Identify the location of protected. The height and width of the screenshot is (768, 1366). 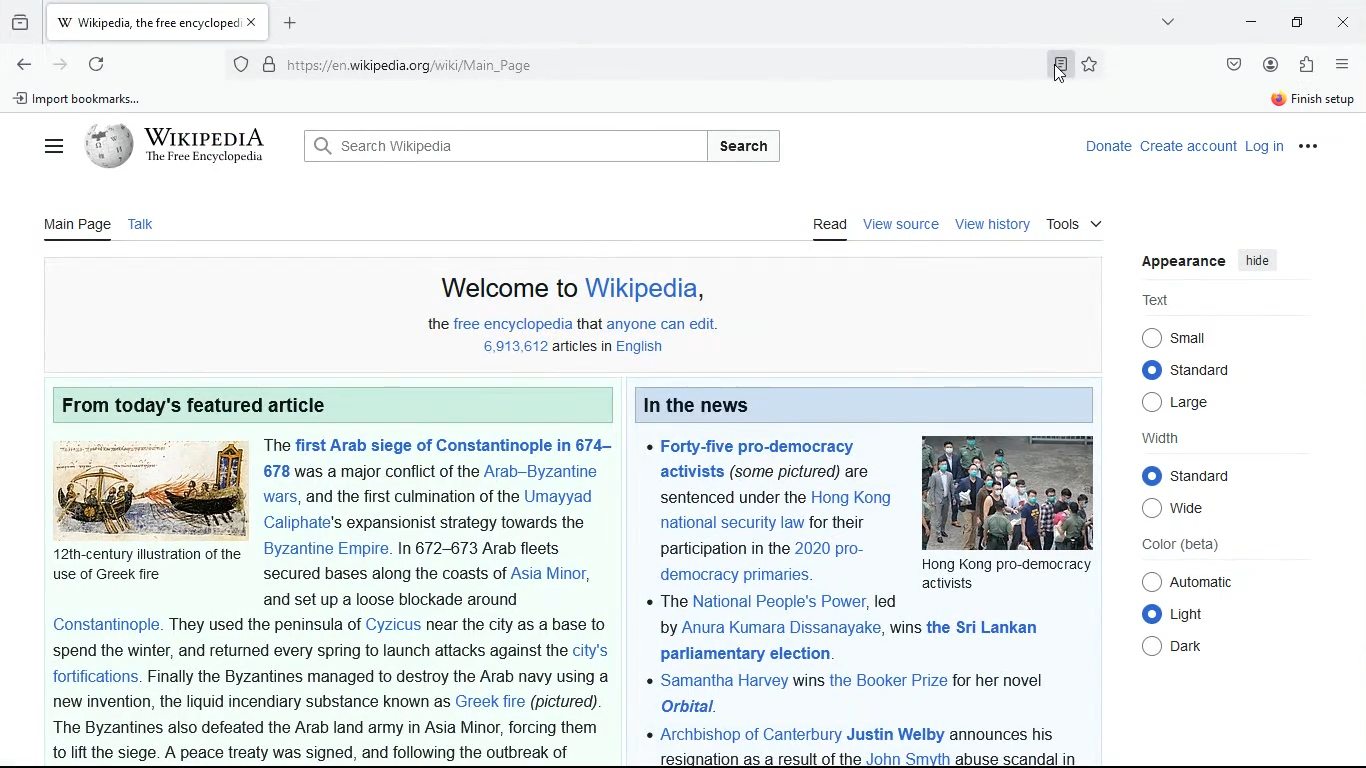
(241, 63).